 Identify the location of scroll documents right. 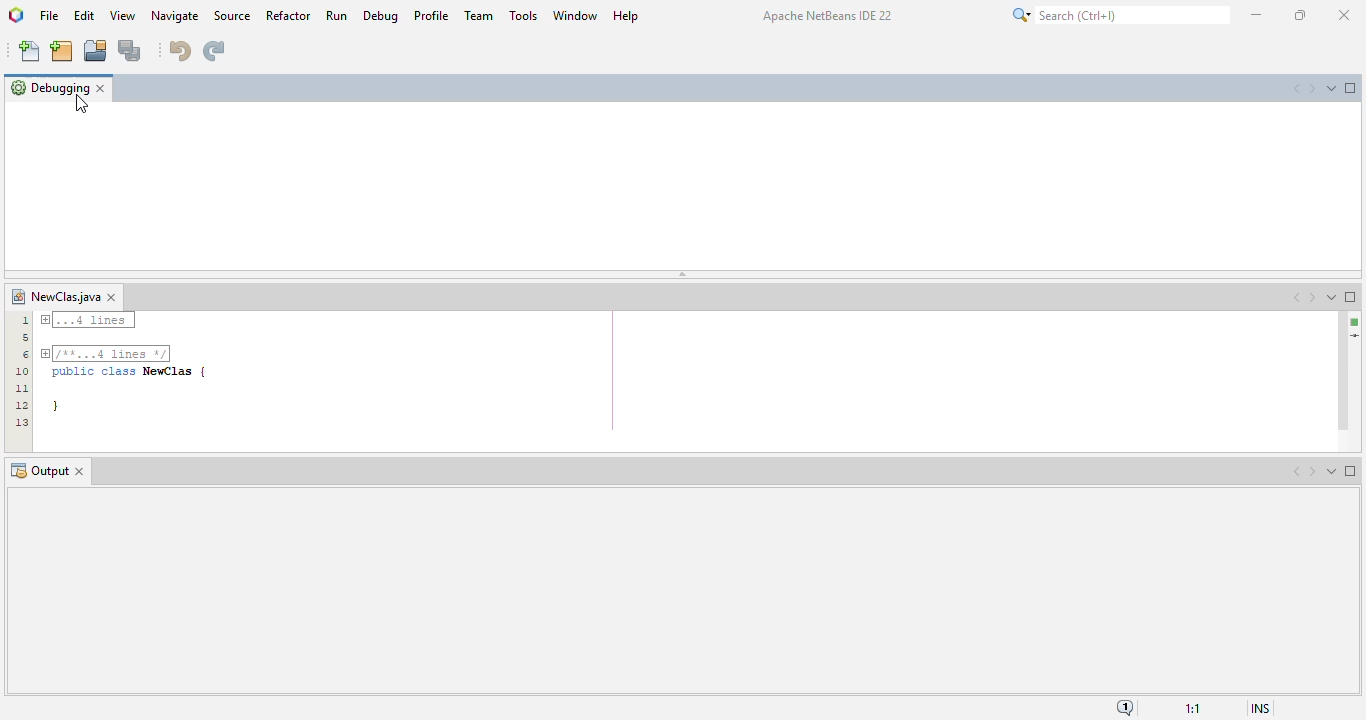
(1310, 89).